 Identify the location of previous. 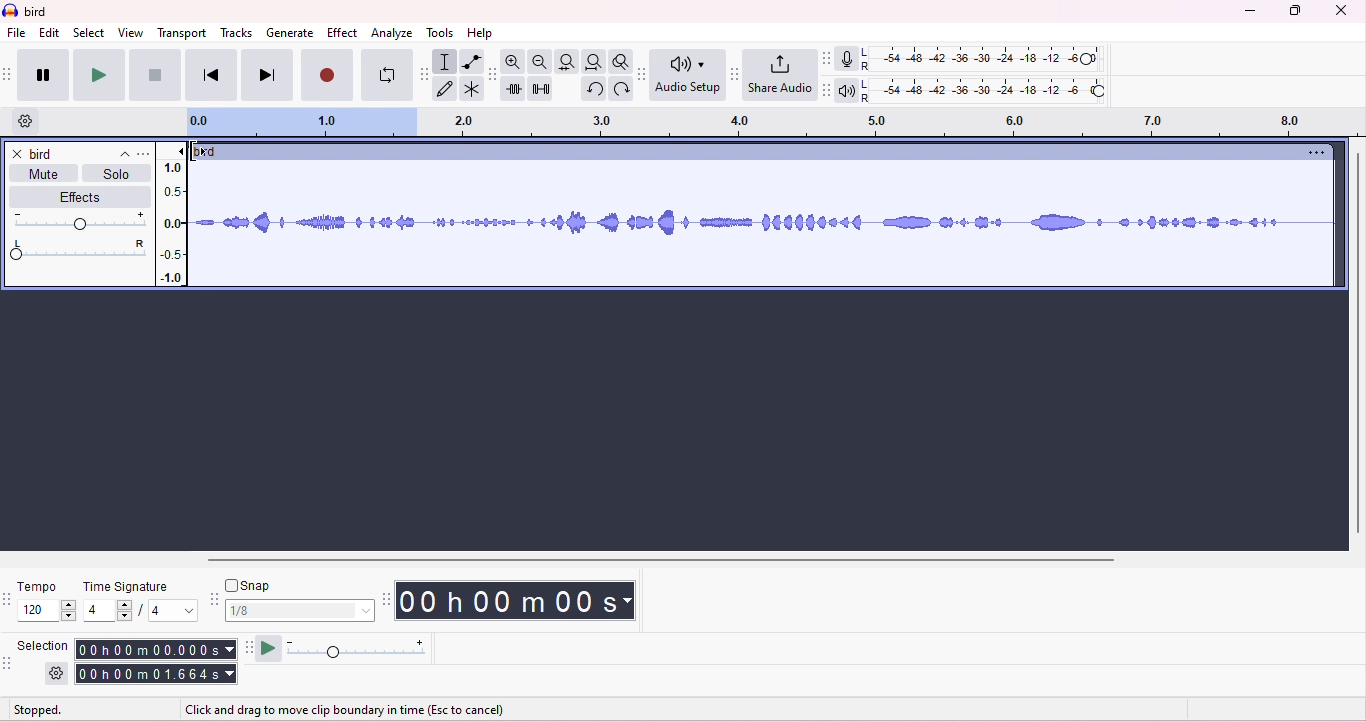
(210, 77).